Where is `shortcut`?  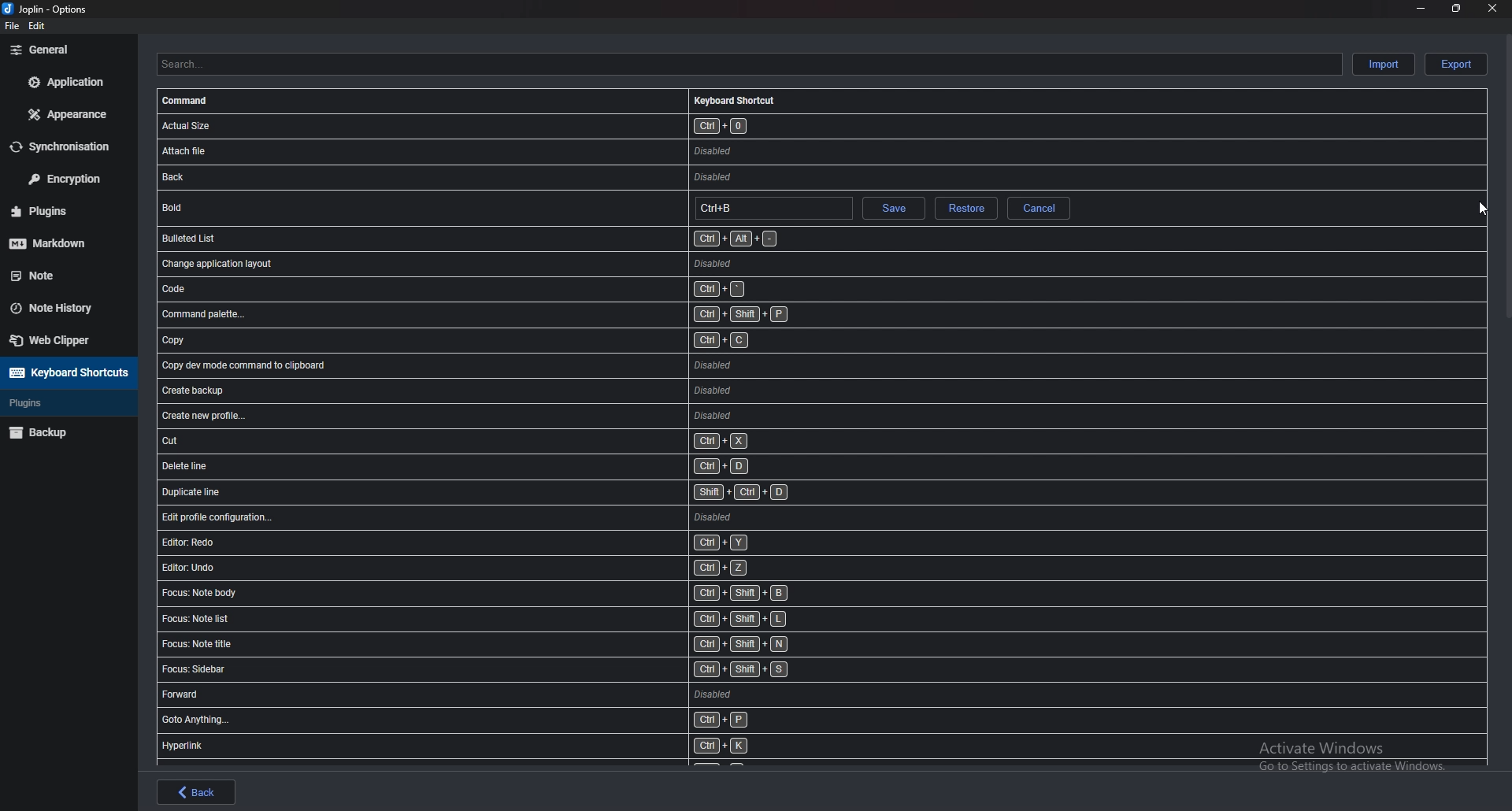
shortcut is located at coordinates (525, 720).